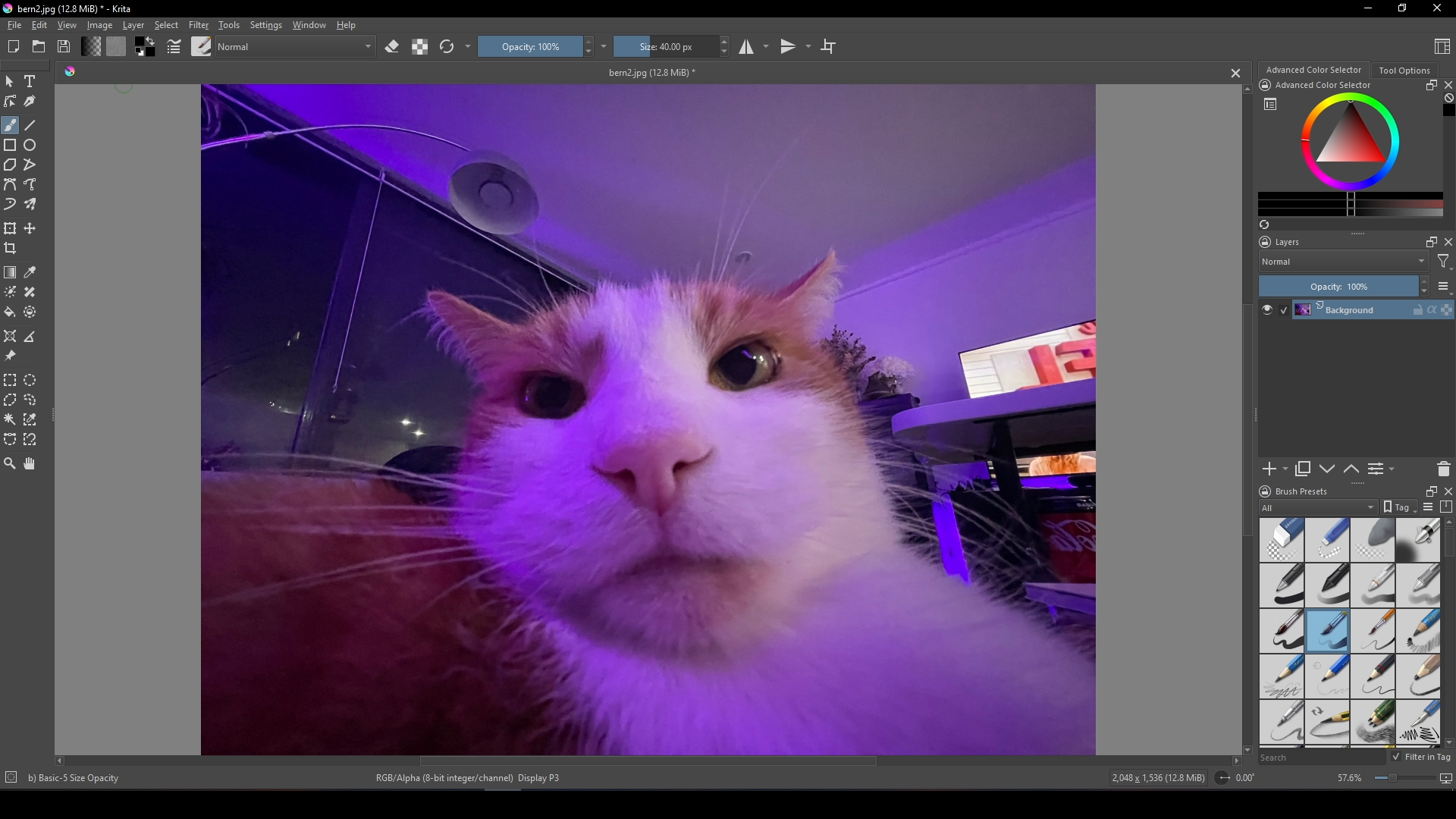  What do you see at coordinates (1270, 104) in the screenshot?
I see `Colector symbol` at bounding box center [1270, 104].